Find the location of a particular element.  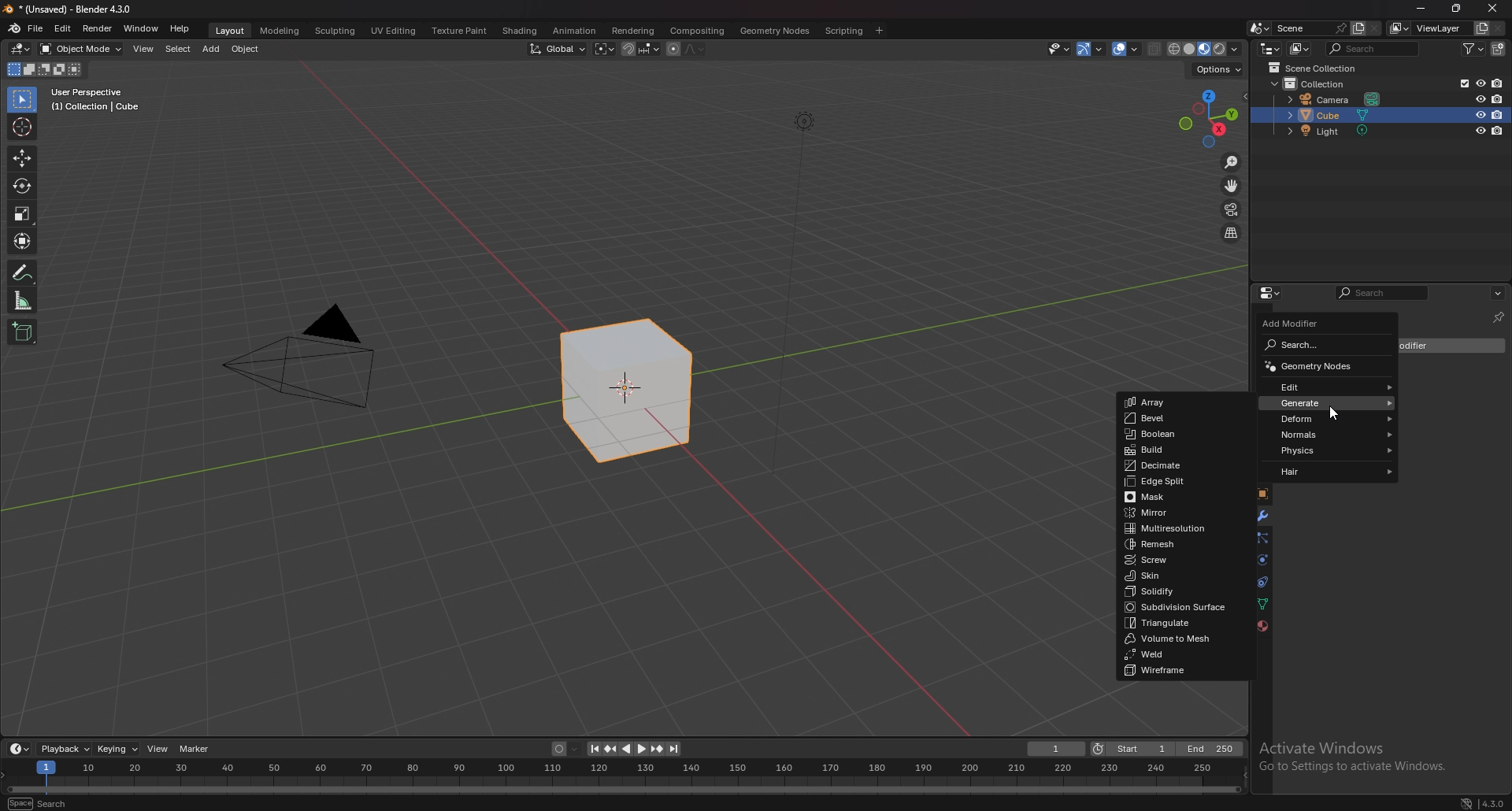

animation is located at coordinates (578, 29).